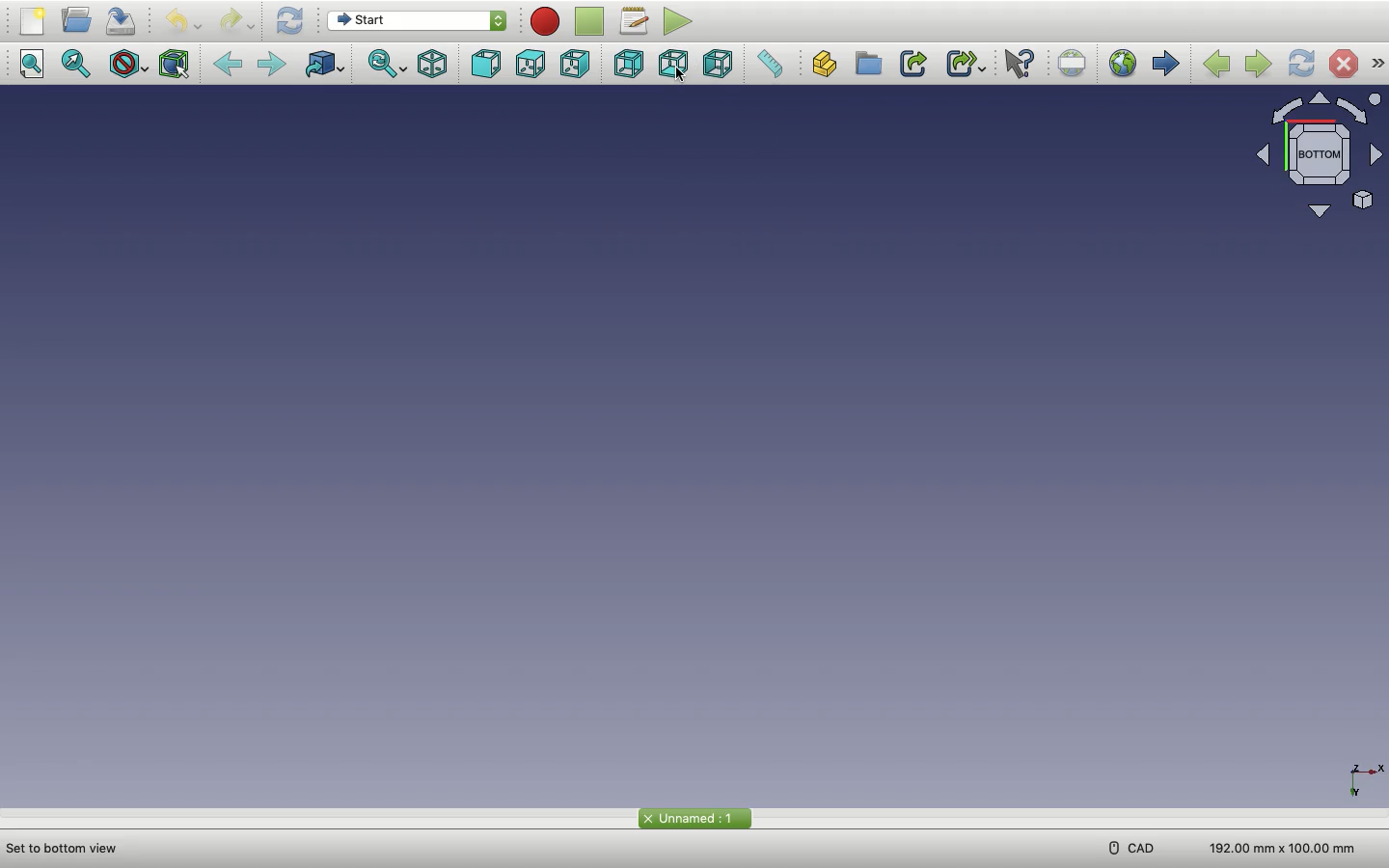 The width and height of the screenshot is (1389, 868). Describe the element at coordinates (292, 21) in the screenshot. I see `Refresh` at that location.